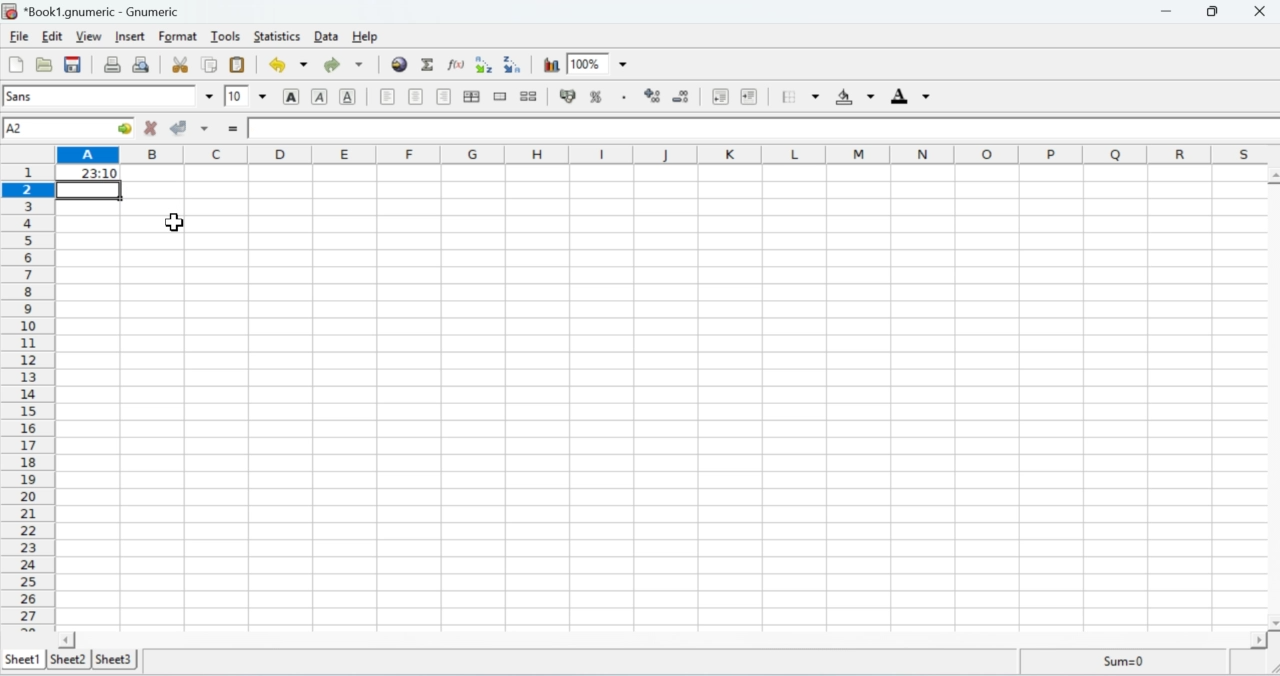 The height and width of the screenshot is (676, 1280). Describe the element at coordinates (14, 64) in the screenshot. I see `Create a new workbook` at that location.